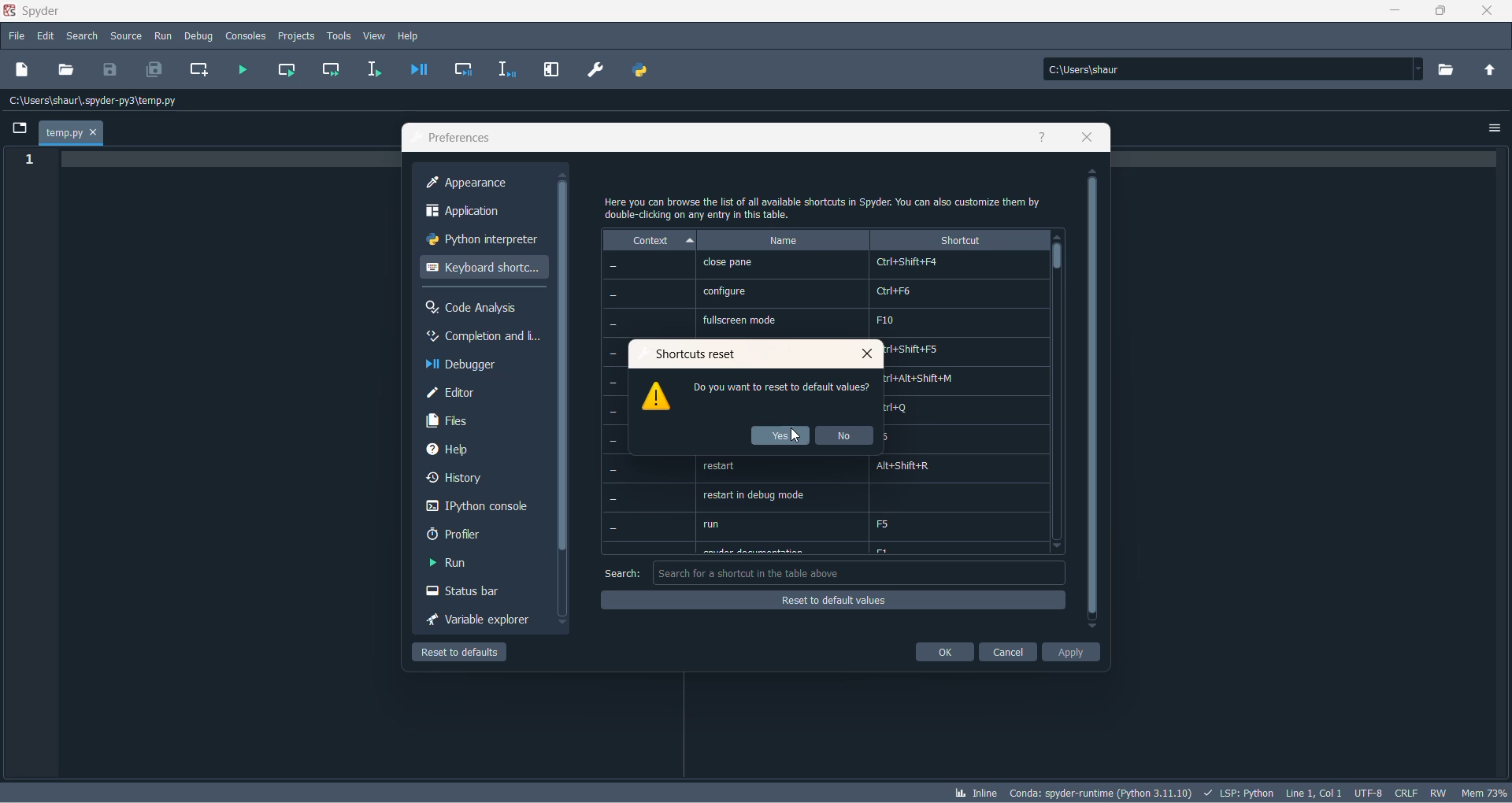  What do you see at coordinates (1406, 791) in the screenshot?
I see `file EOL status` at bounding box center [1406, 791].